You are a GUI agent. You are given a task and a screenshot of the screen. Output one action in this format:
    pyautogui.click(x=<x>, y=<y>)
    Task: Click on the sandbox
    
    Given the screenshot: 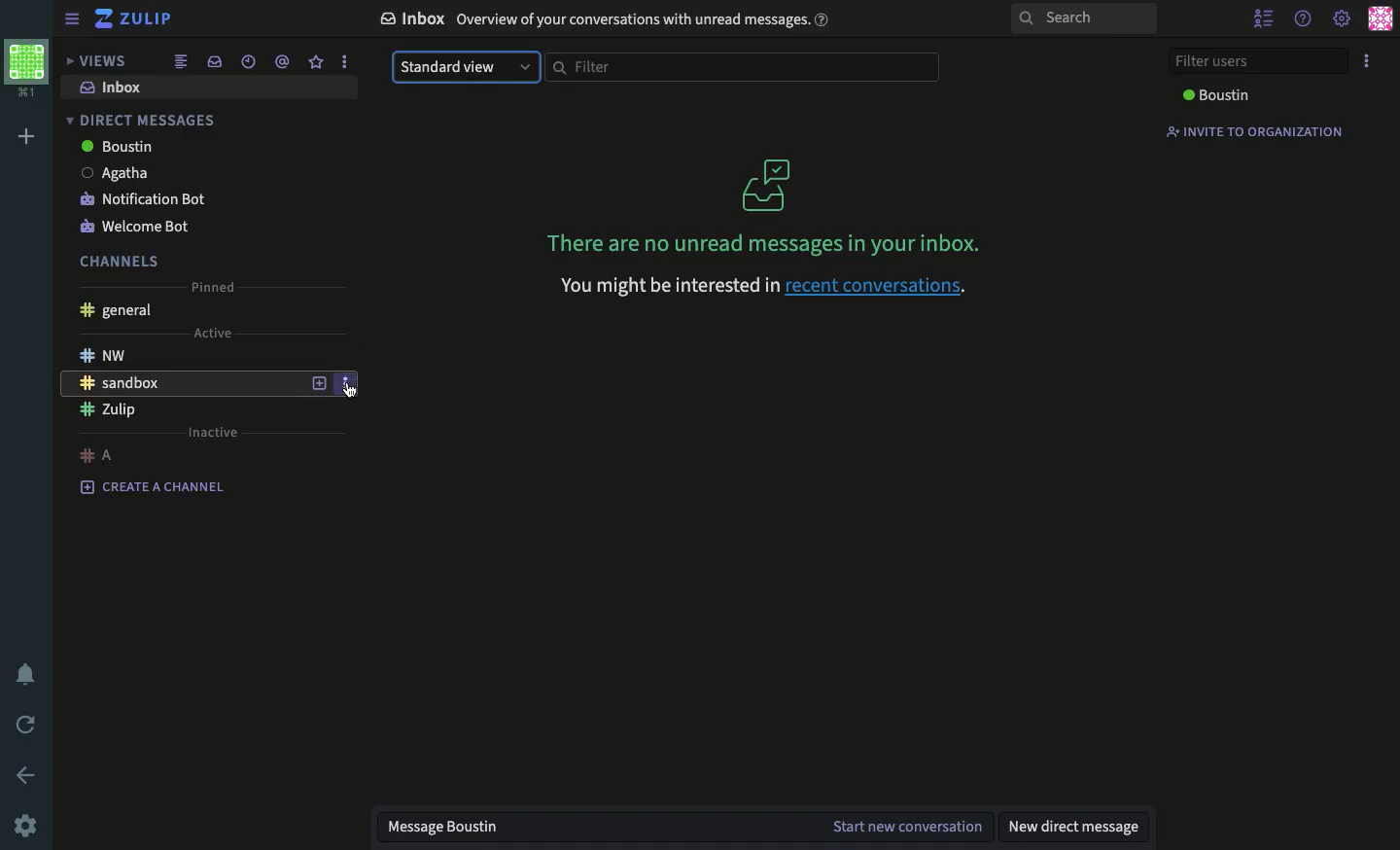 What is the action you would take?
    pyautogui.click(x=122, y=382)
    